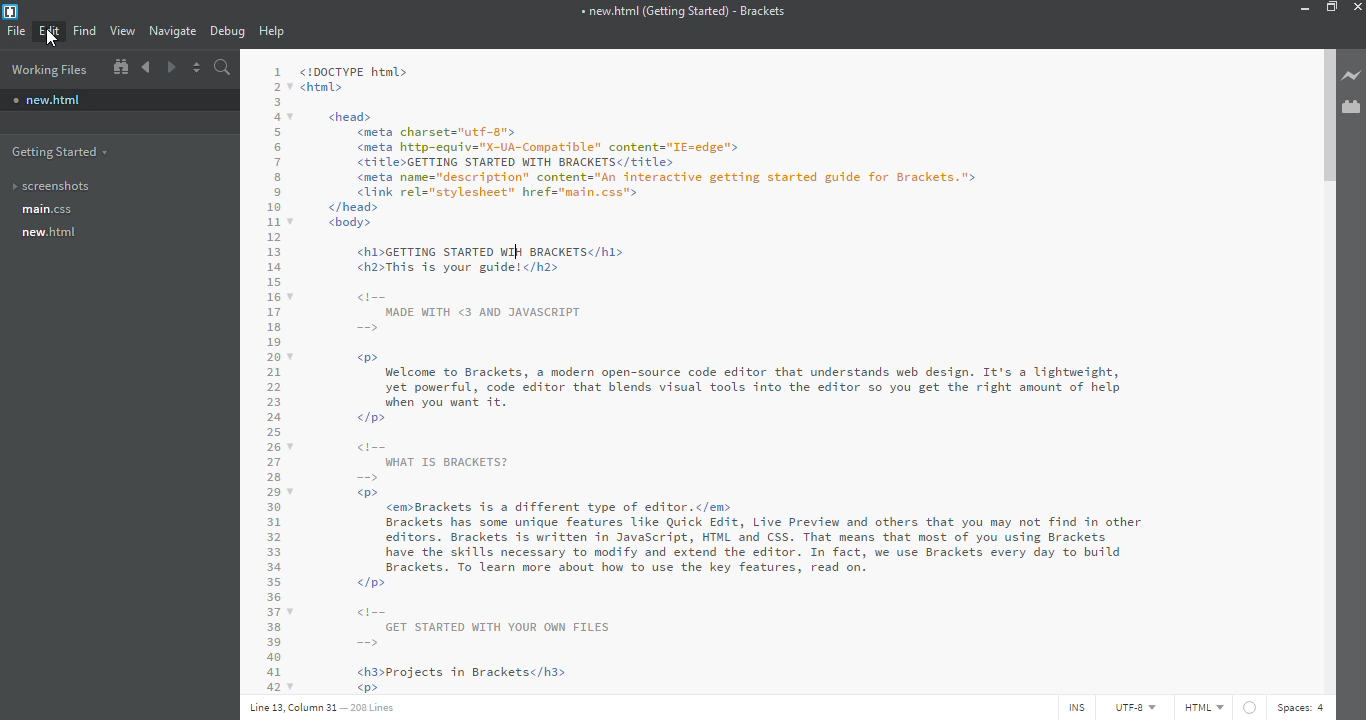 The width and height of the screenshot is (1366, 720). Describe the element at coordinates (1351, 75) in the screenshot. I see `live preview` at that location.